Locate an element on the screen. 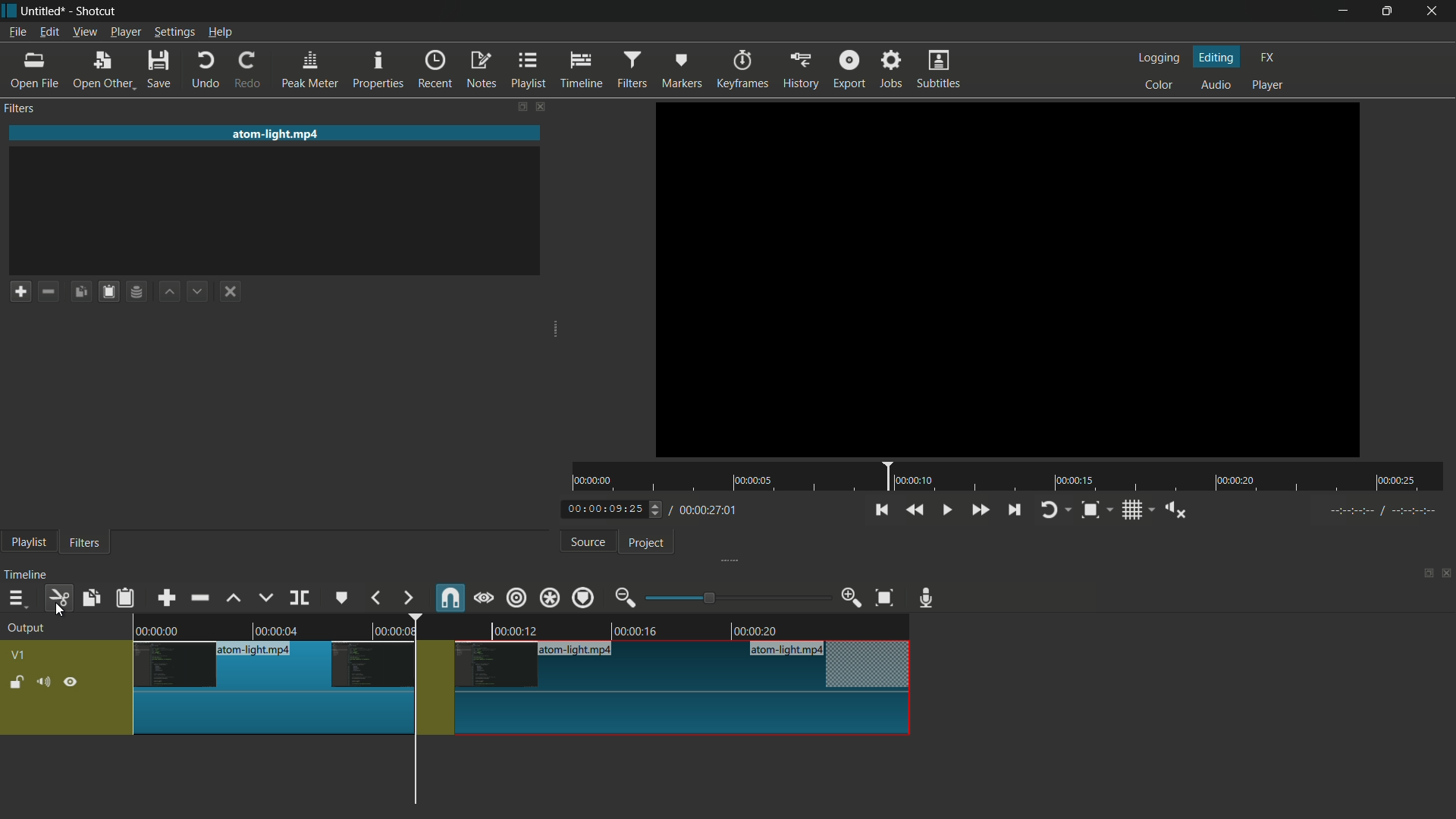 This screenshot has width=1456, height=819. keyframes is located at coordinates (740, 70).